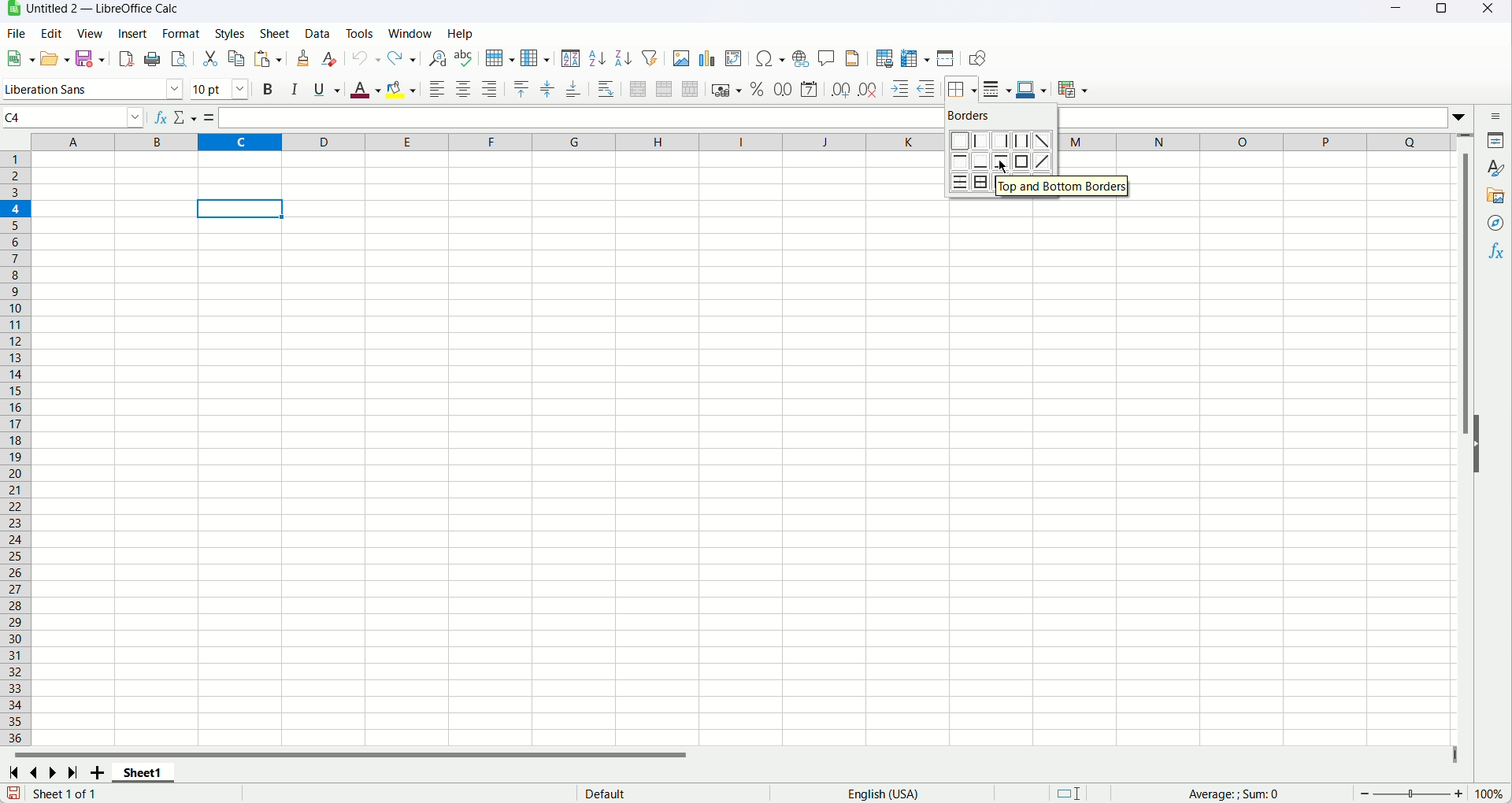 The height and width of the screenshot is (803, 1512). What do you see at coordinates (97, 775) in the screenshot?
I see `Add new sheet ` at bounding box center [97, 775].